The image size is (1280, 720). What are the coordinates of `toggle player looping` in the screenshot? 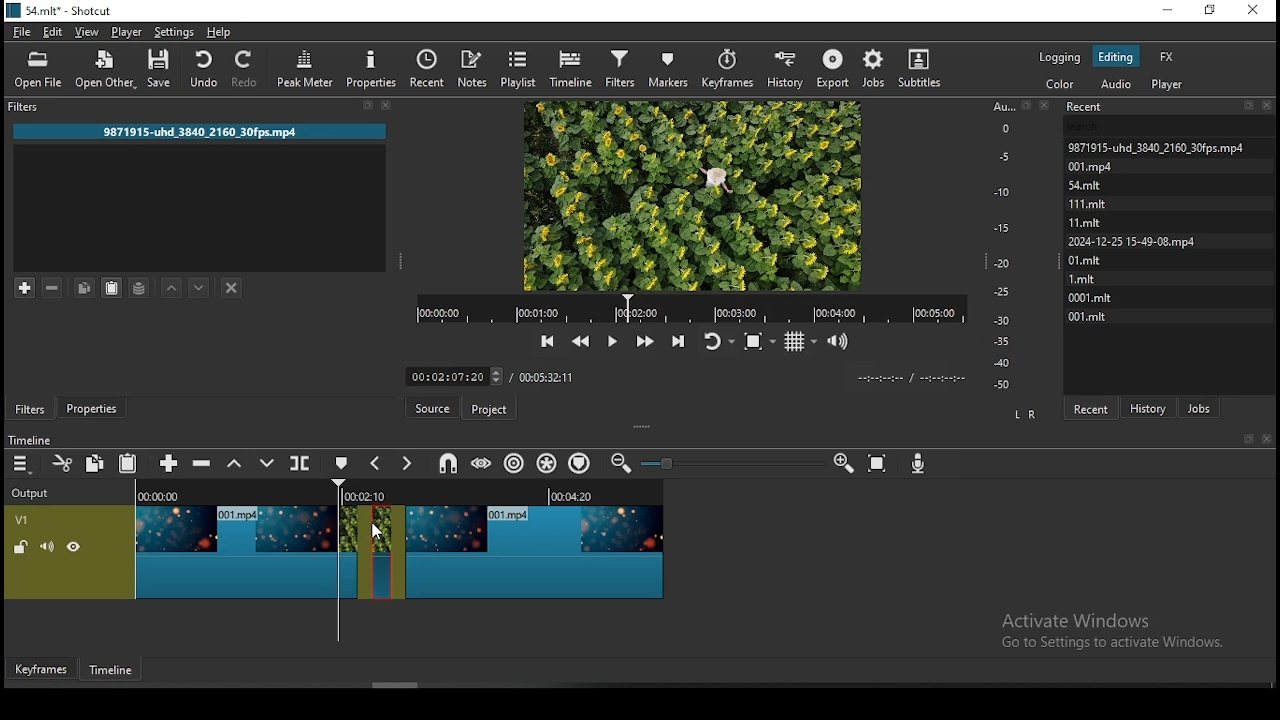 It's located at (717, 339).